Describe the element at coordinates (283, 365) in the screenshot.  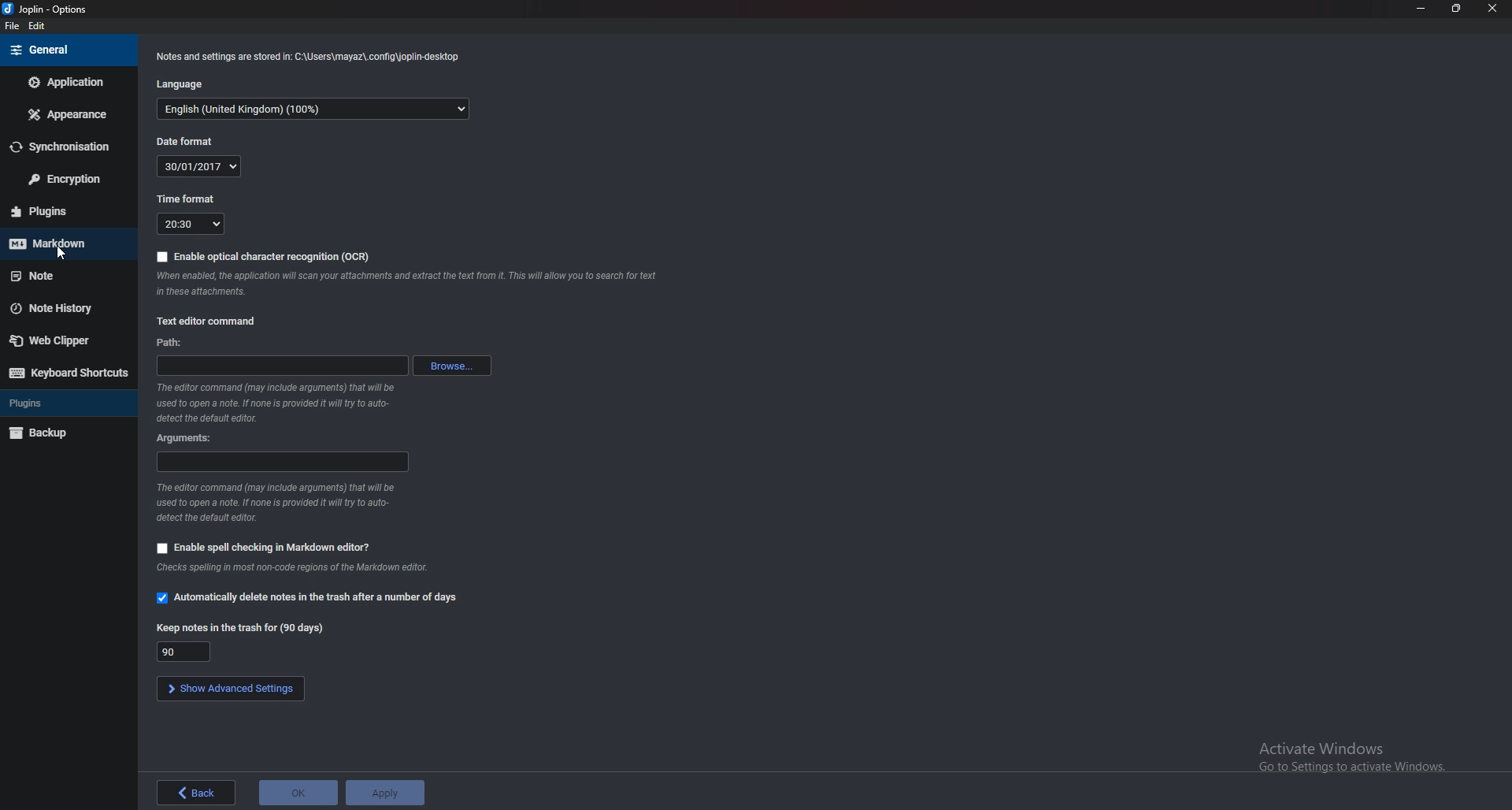
I see `path` at that location.